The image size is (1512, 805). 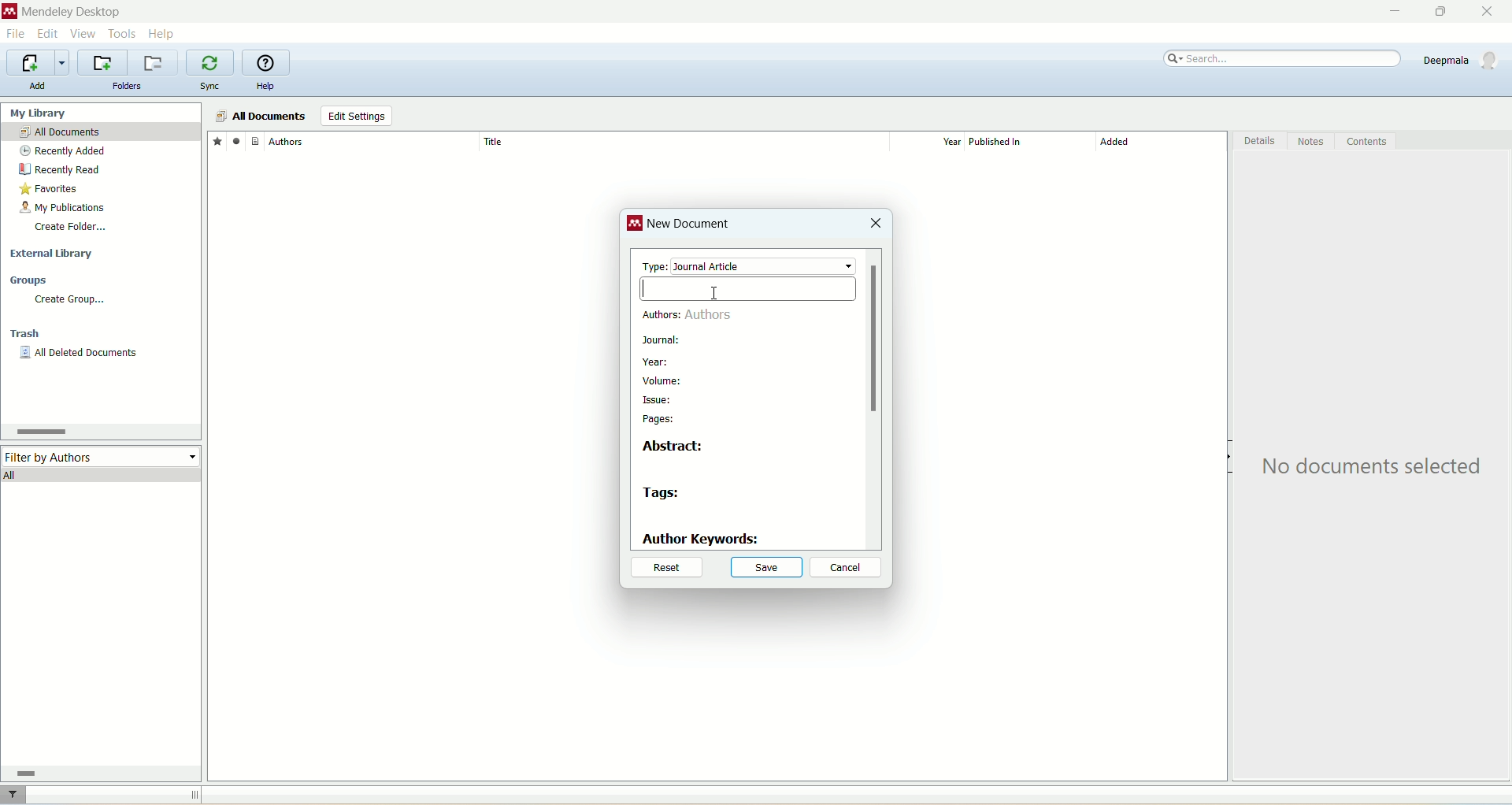 I want to click on import, so click(x=35, y=63).